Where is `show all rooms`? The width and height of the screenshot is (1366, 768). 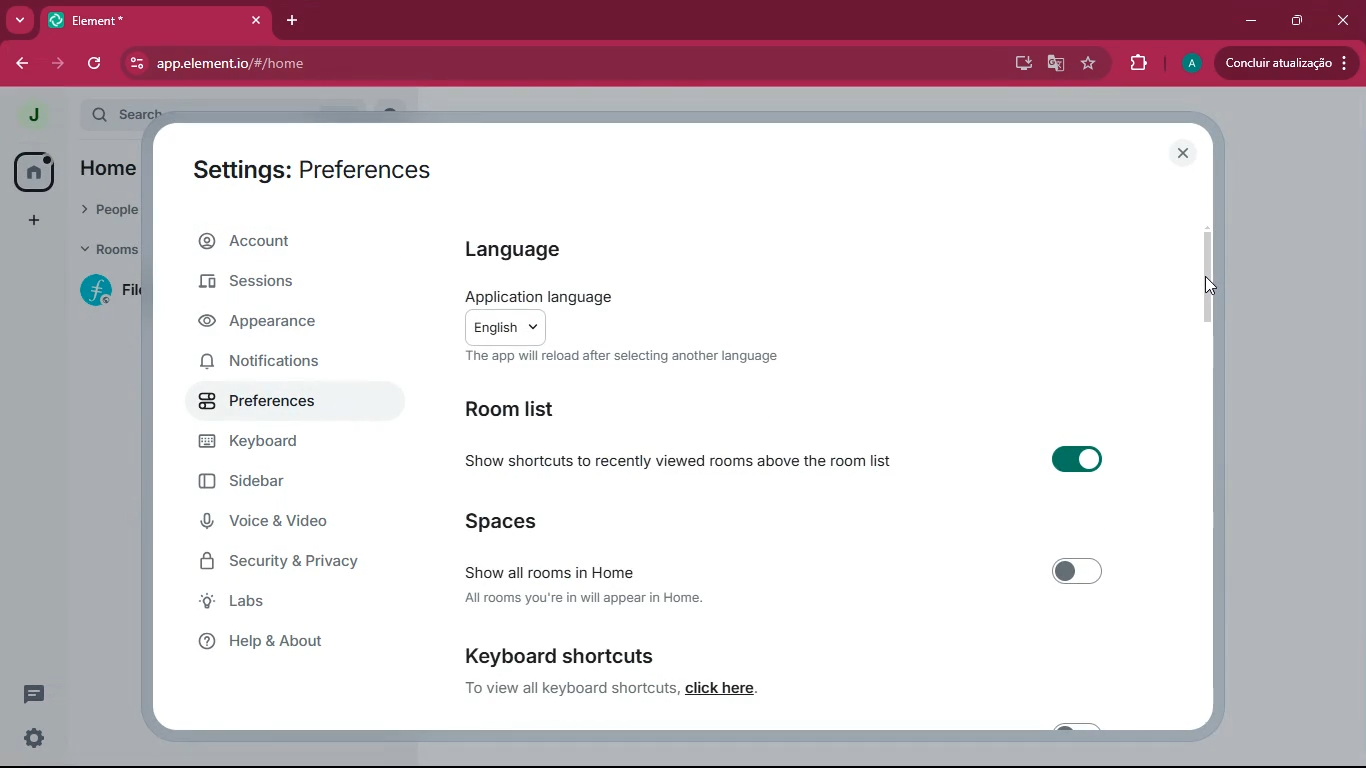 show all rooms is located at coordinates (796, 571).